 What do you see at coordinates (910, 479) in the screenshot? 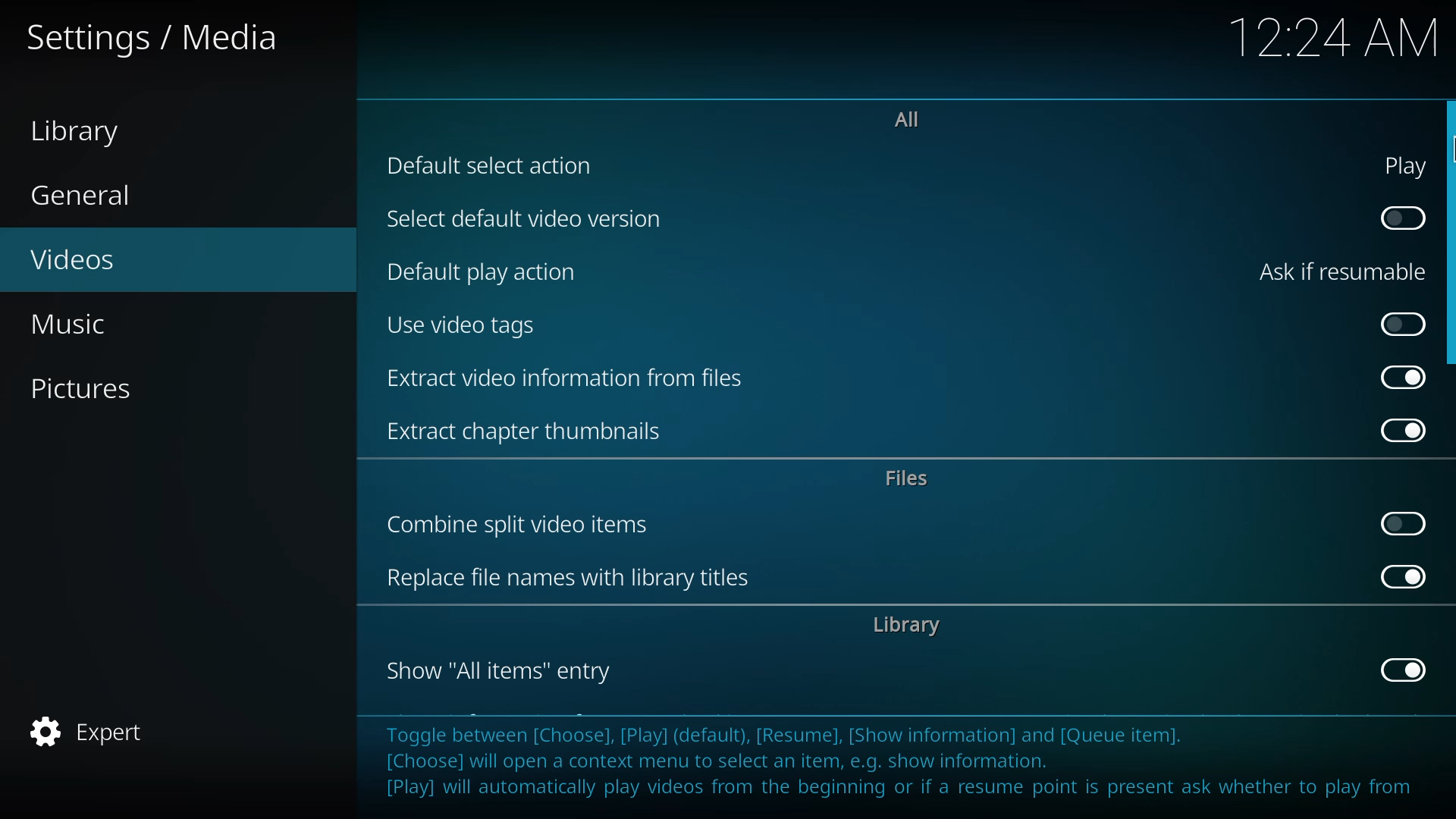
I see `files` at bounding box center [910, 479].